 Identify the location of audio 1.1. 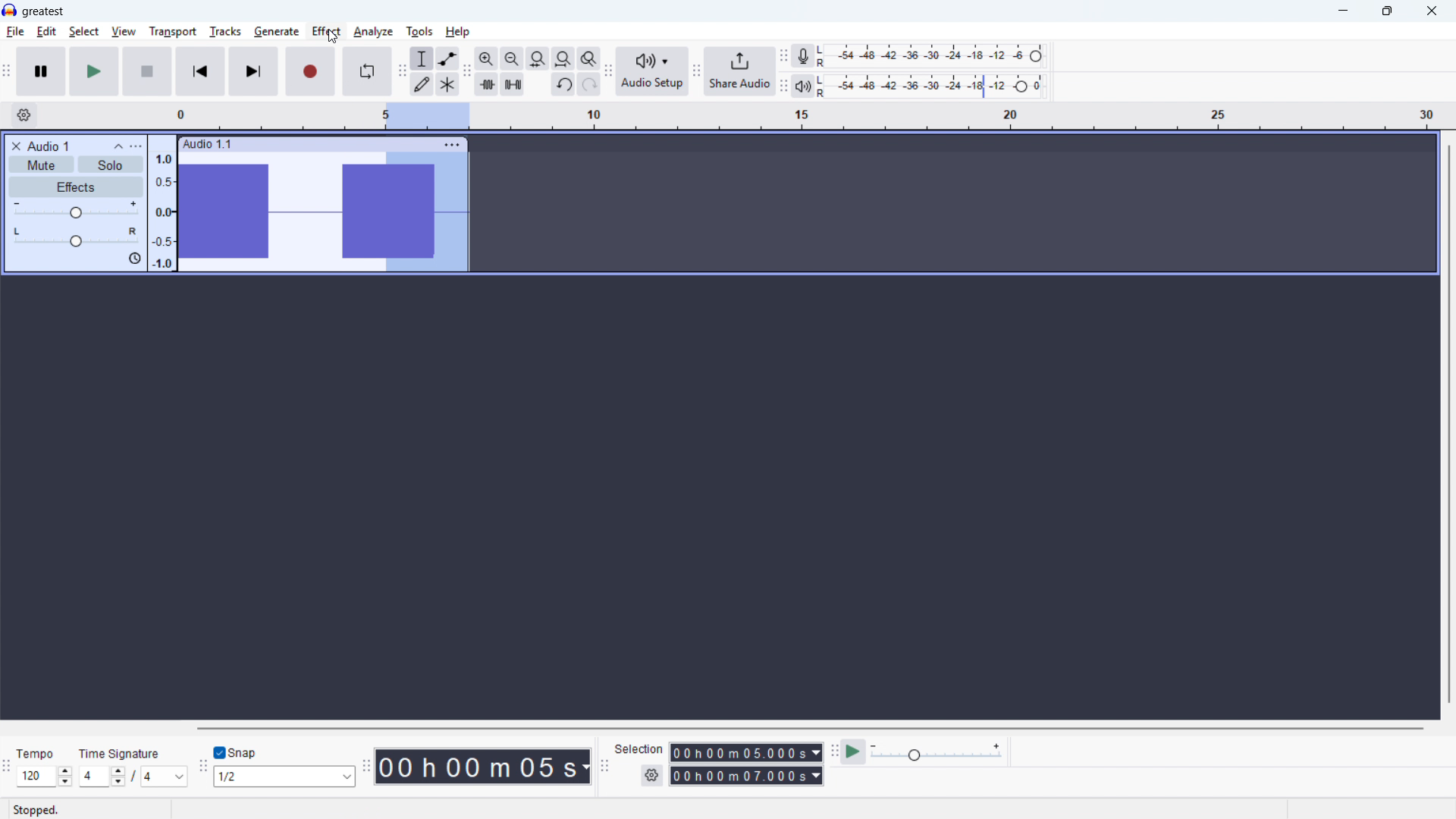
(207, 143).